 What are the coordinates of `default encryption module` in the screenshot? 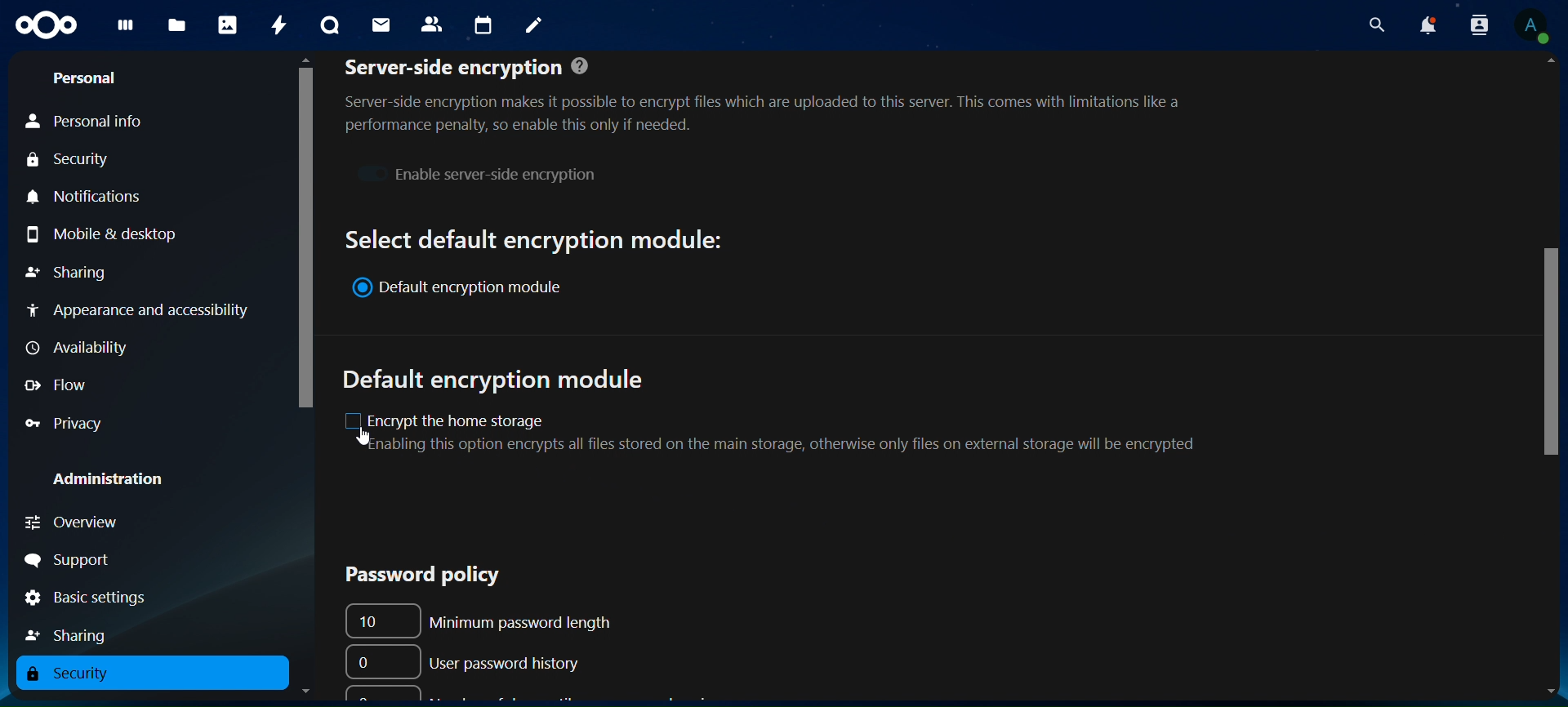 It's located at (499, 380).